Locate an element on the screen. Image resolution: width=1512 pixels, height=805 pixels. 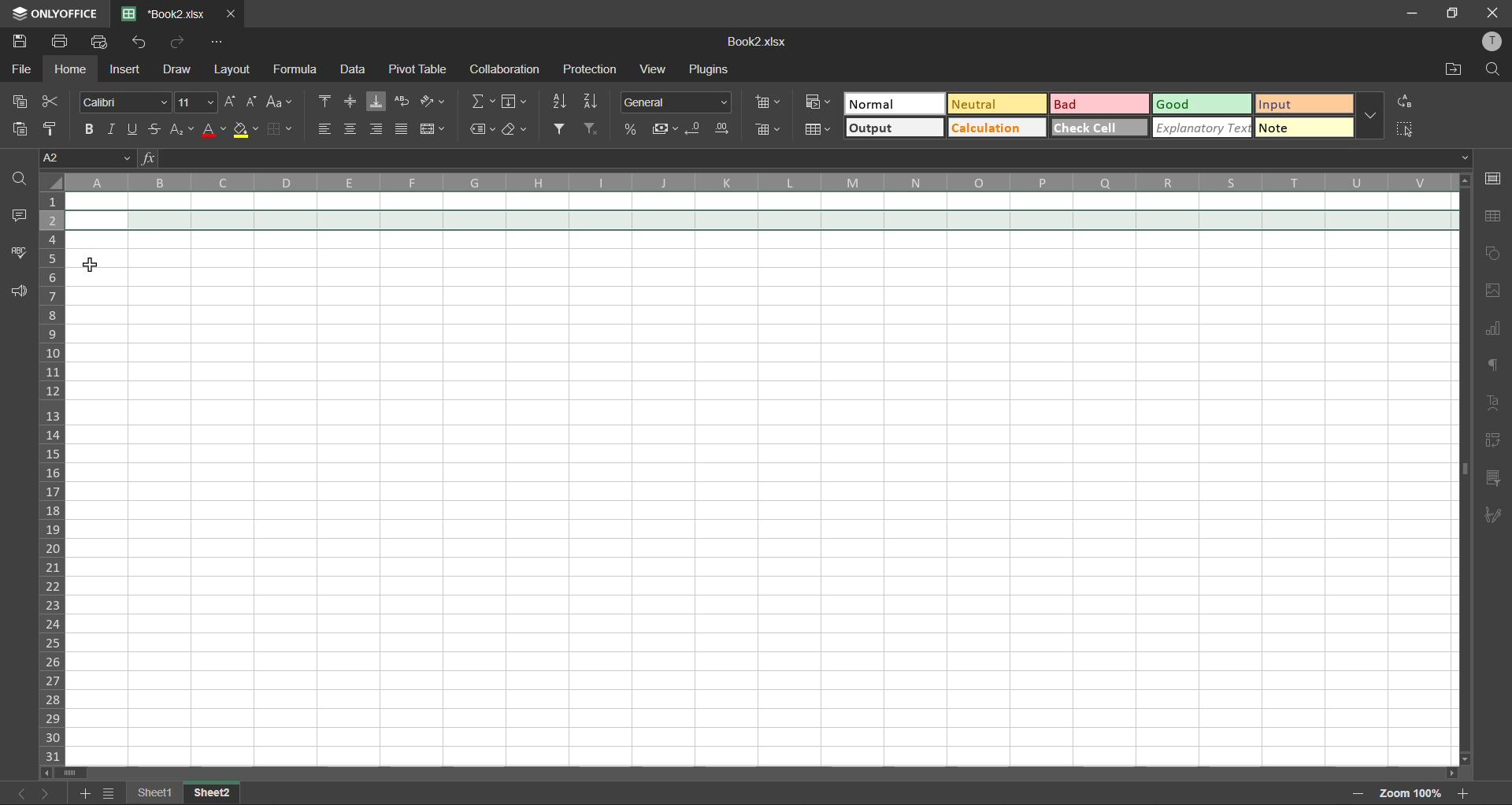
customize quick access toolbar is located at coordinates (217, 42).